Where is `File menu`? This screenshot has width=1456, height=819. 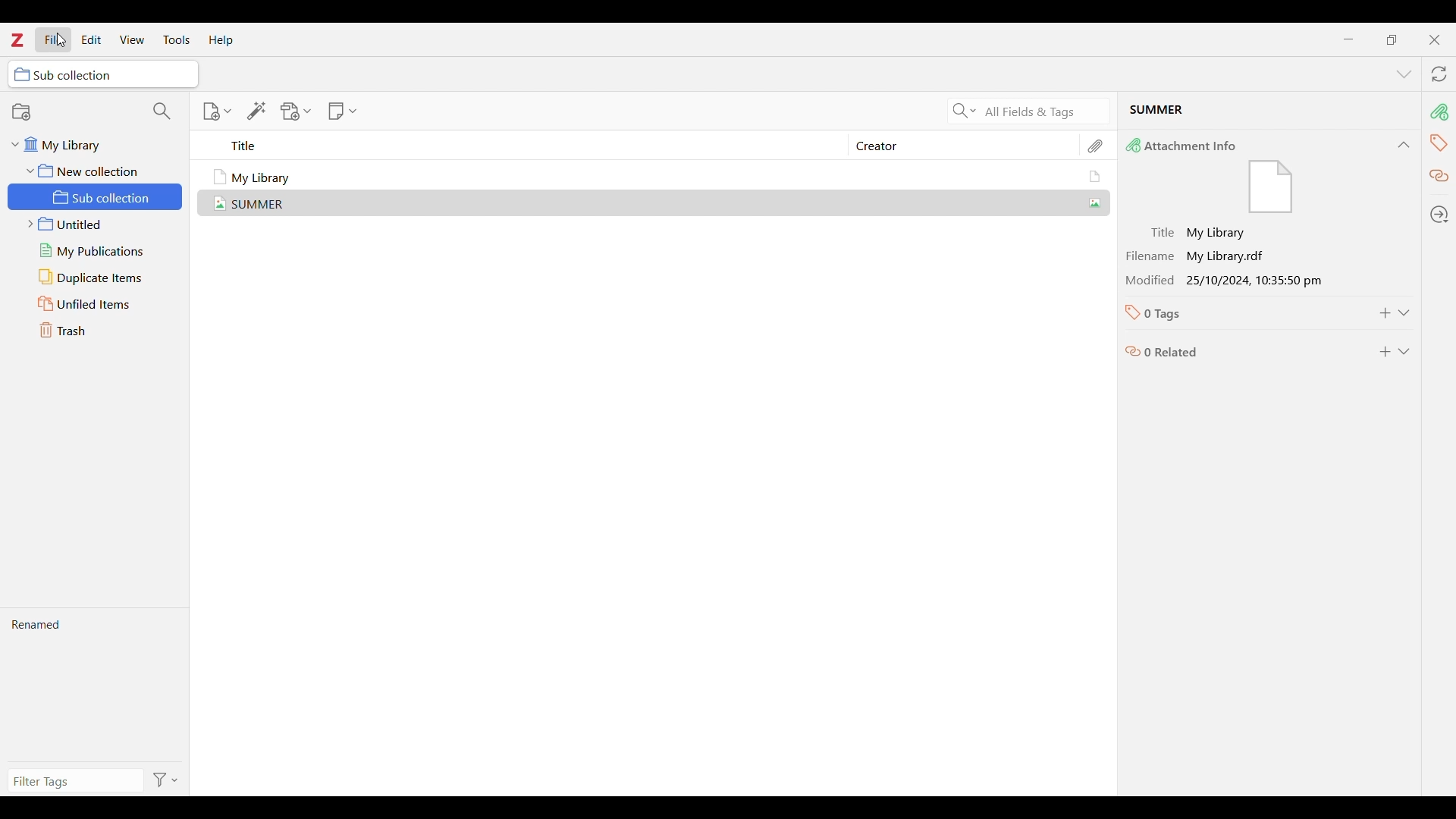 File menu is located at coordinates (54, 39).